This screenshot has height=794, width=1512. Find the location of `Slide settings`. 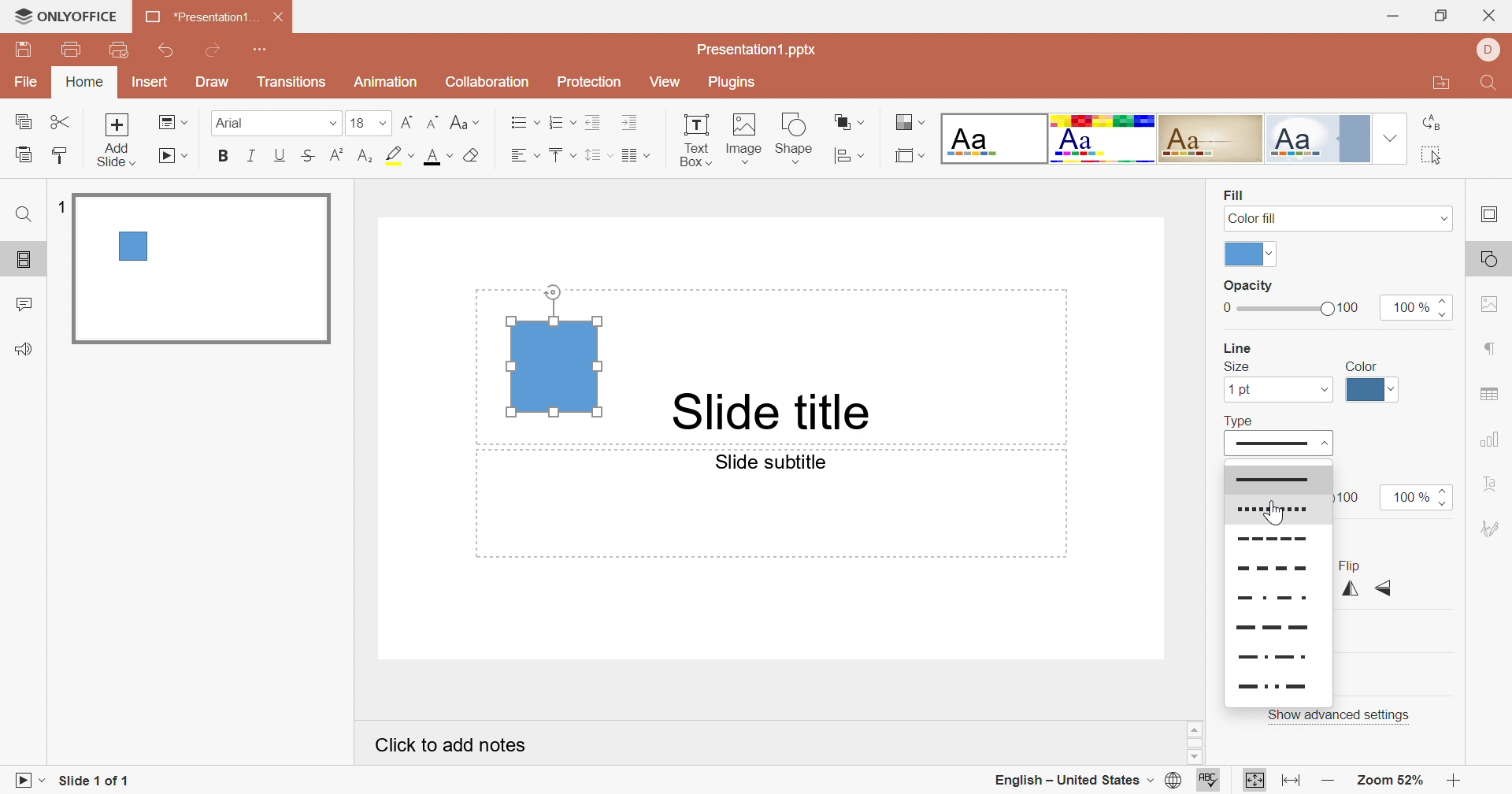

Slide settings is located at coordinates (1492, 216).